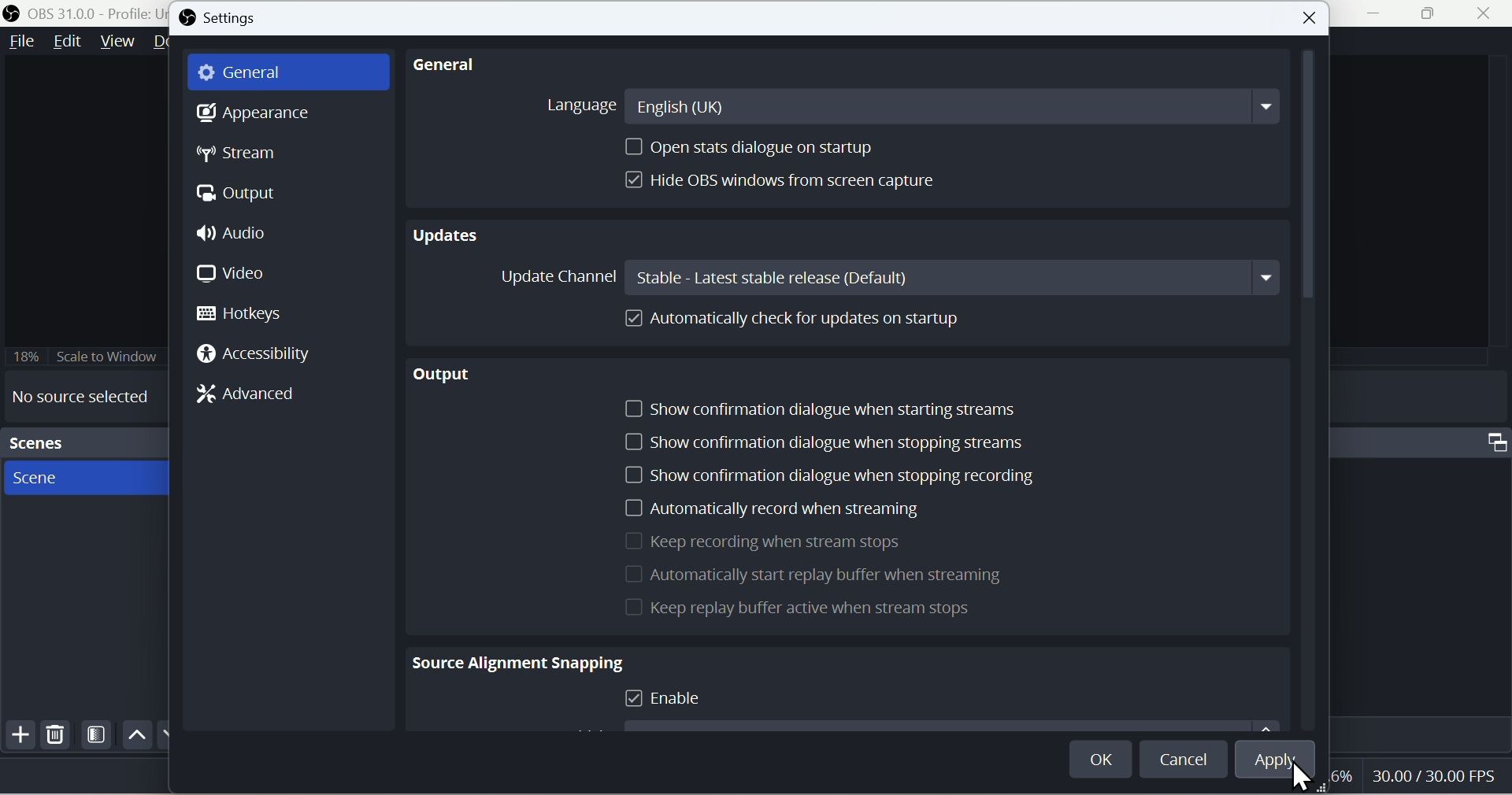 The width and height of the screenshot is (1512, 795). I want to click on 30.00 FPS, so click(1440, 776).